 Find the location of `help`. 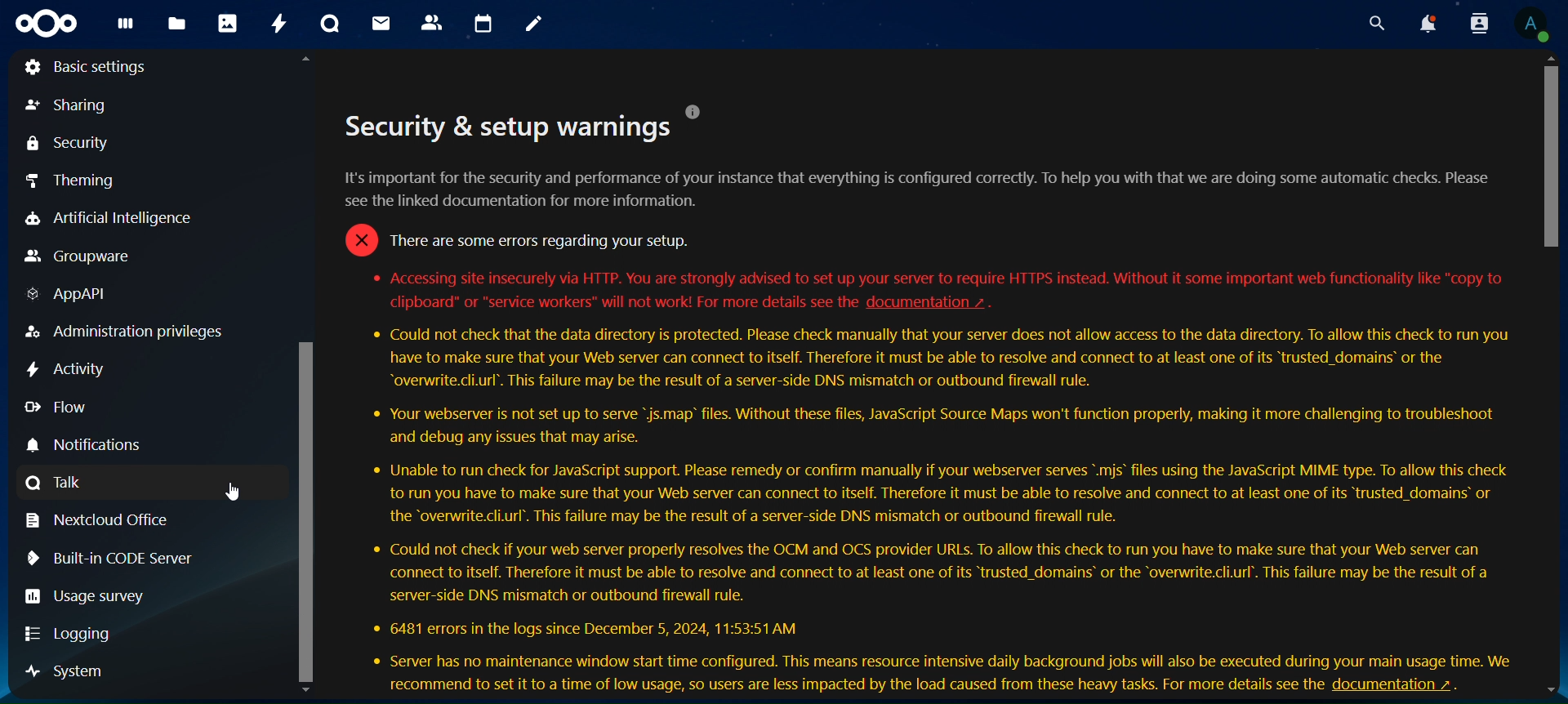

help is located at coordinates (1405, 686).